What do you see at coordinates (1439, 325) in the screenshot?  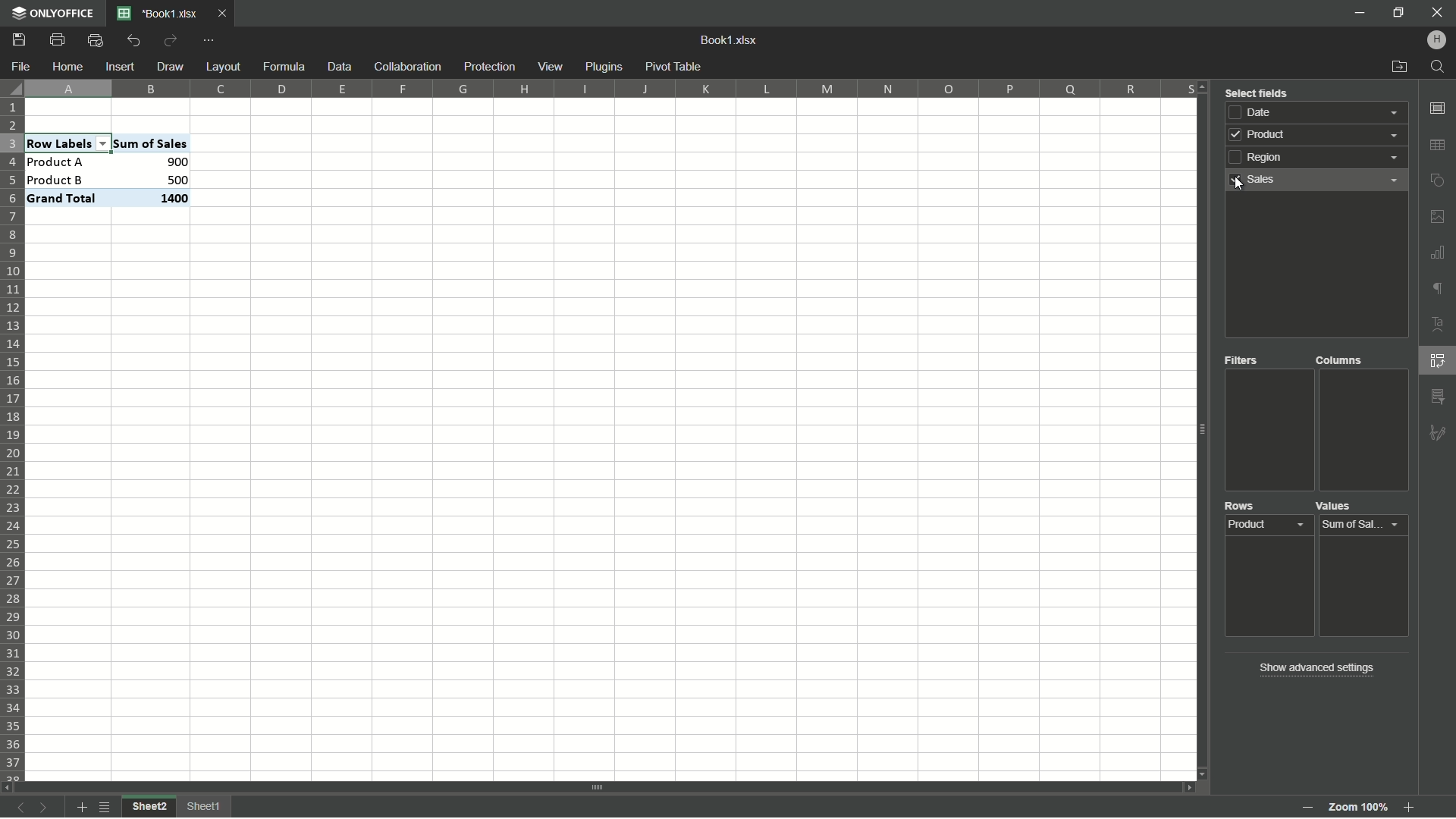 I see `text art` at bounding box center [1439, 325].